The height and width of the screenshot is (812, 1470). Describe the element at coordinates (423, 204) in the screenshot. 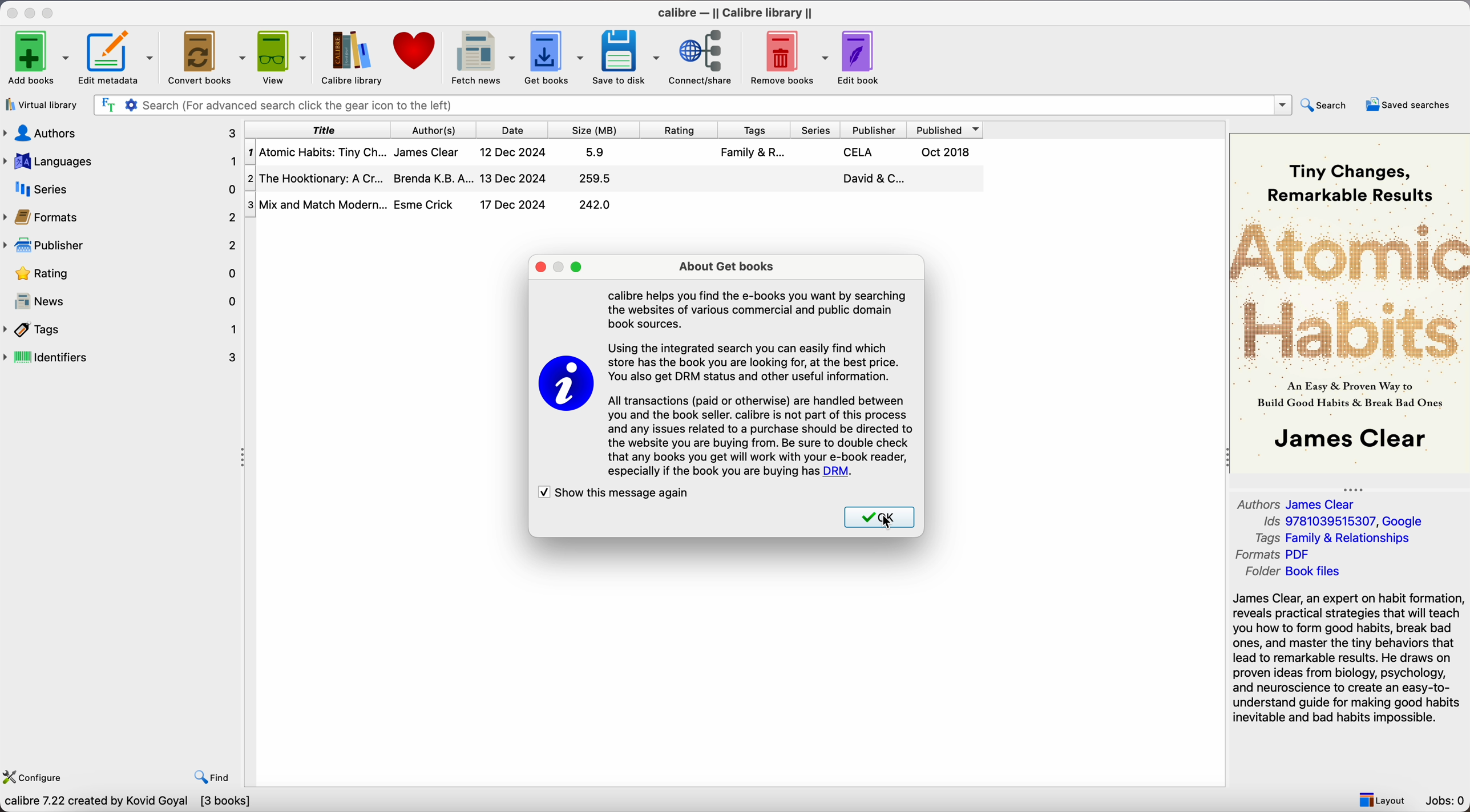

I see `Esme Crick` at that location.